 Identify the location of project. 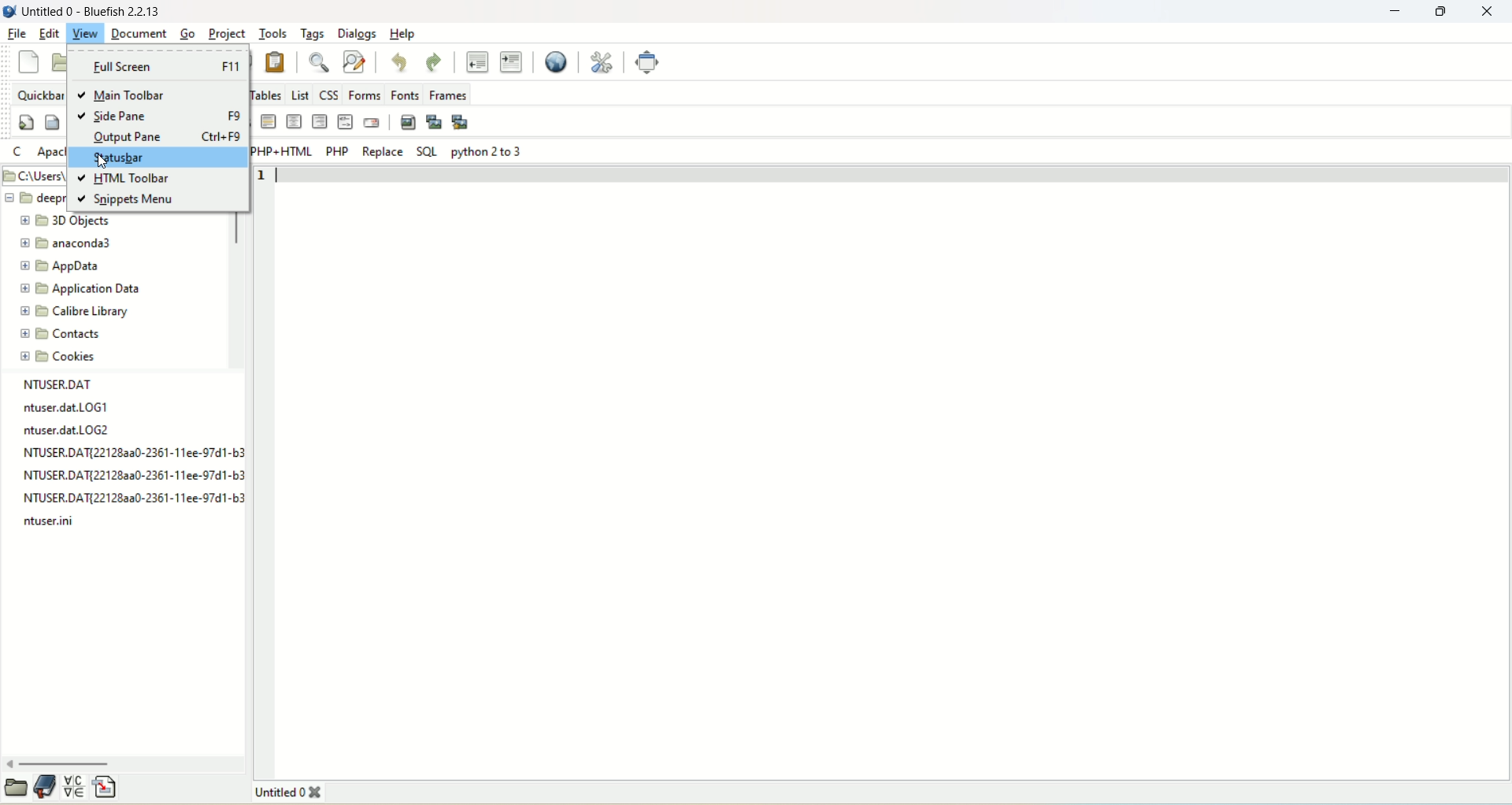
(227, 33).